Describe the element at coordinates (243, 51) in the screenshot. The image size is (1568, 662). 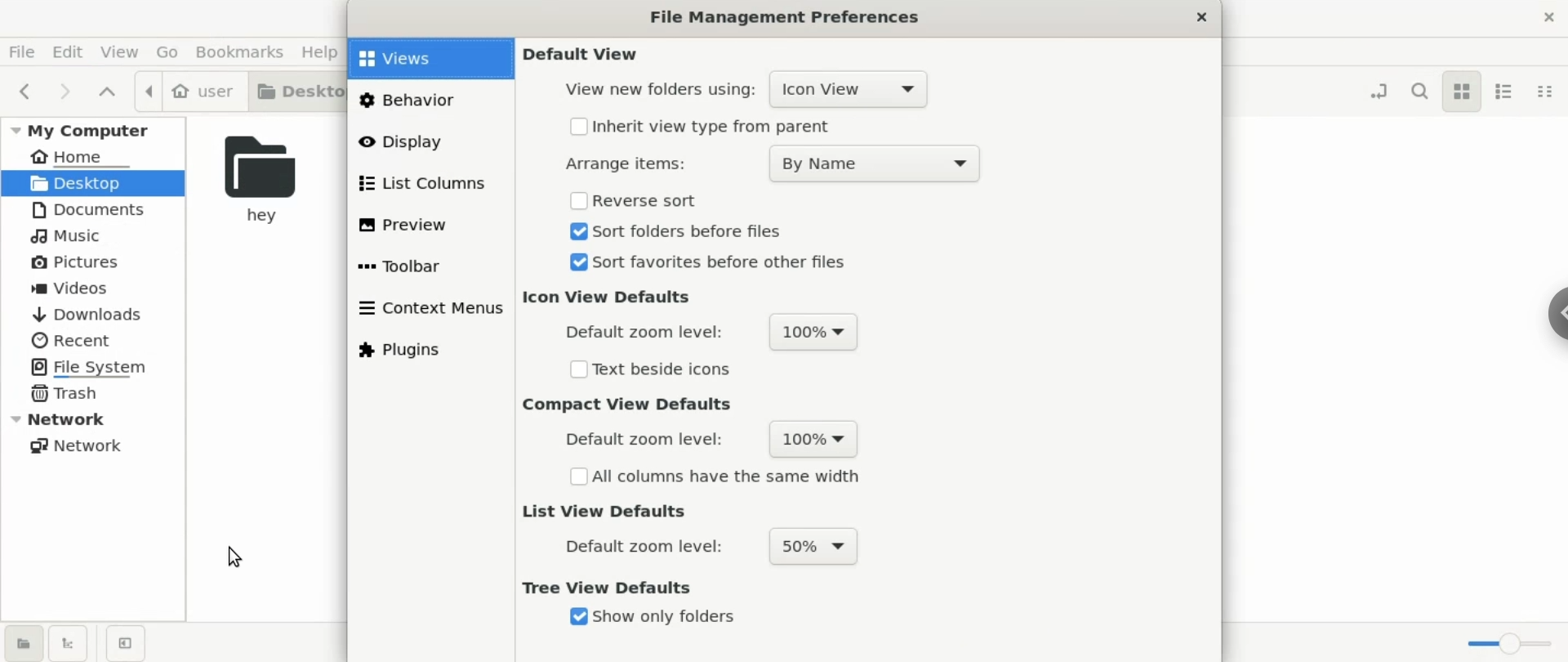
I see `bookmarks` at that location.